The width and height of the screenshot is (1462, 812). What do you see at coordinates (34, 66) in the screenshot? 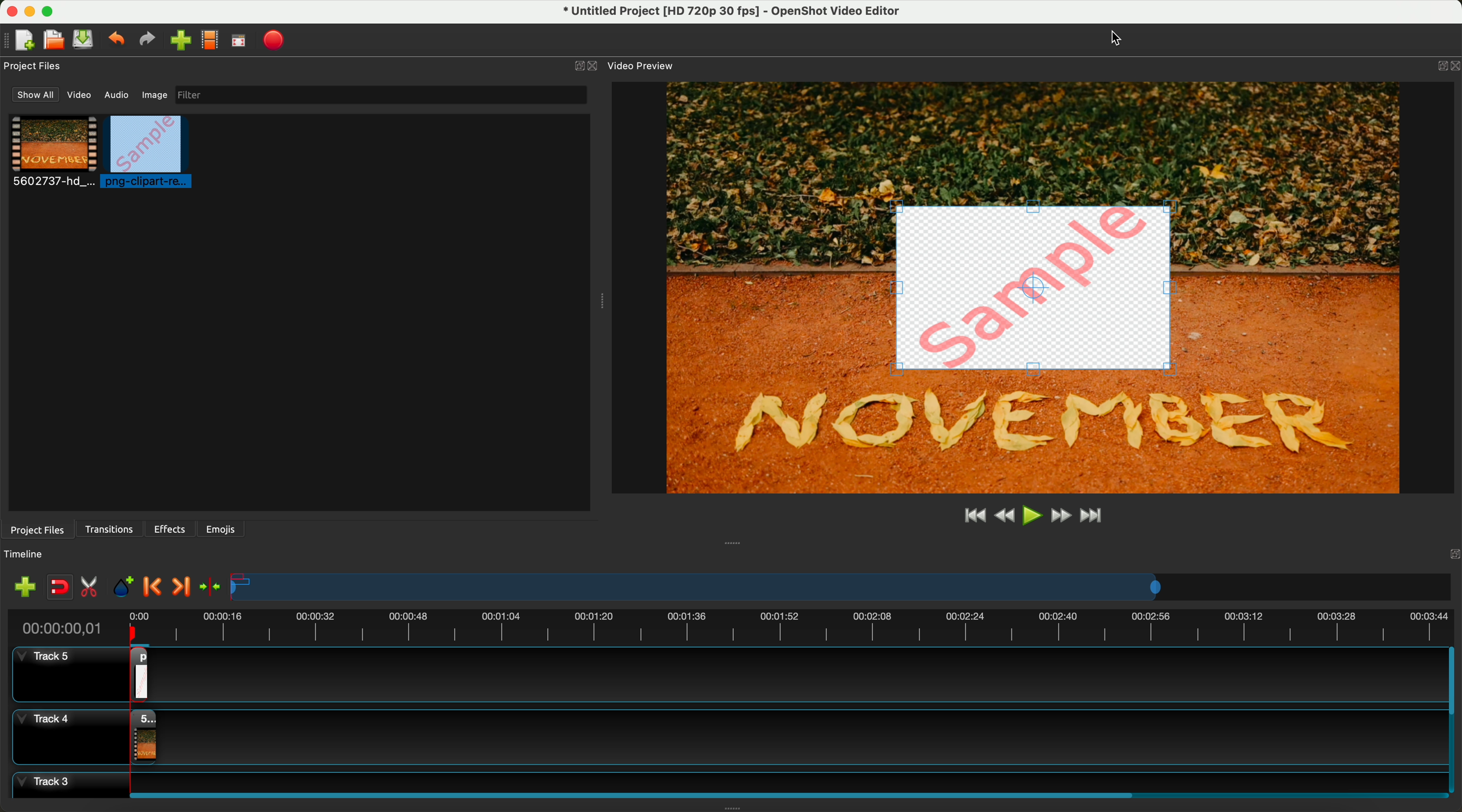
I see `project files` at bounding box center [34, 66].